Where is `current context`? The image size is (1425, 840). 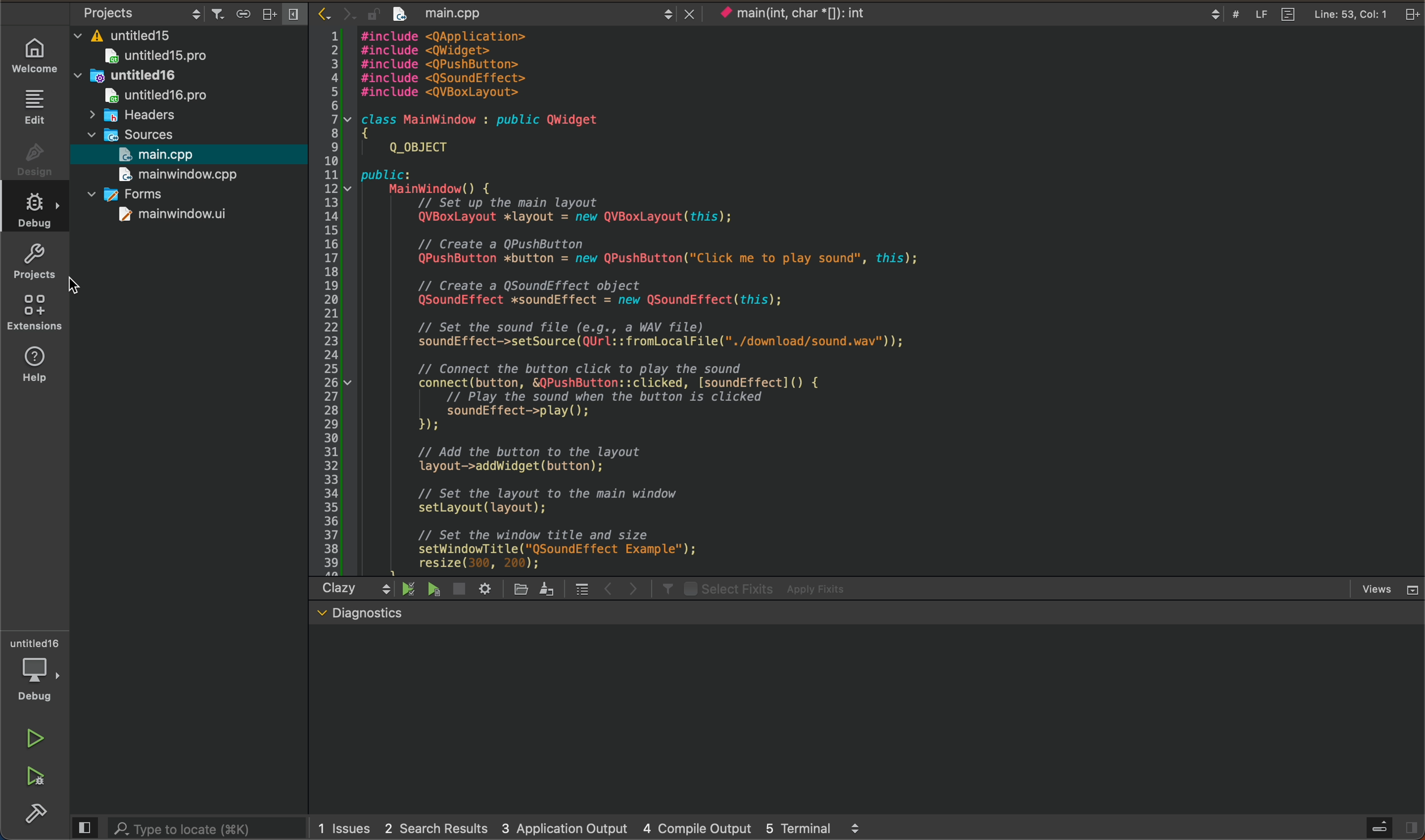
current context is located at coordinates (817, 15).